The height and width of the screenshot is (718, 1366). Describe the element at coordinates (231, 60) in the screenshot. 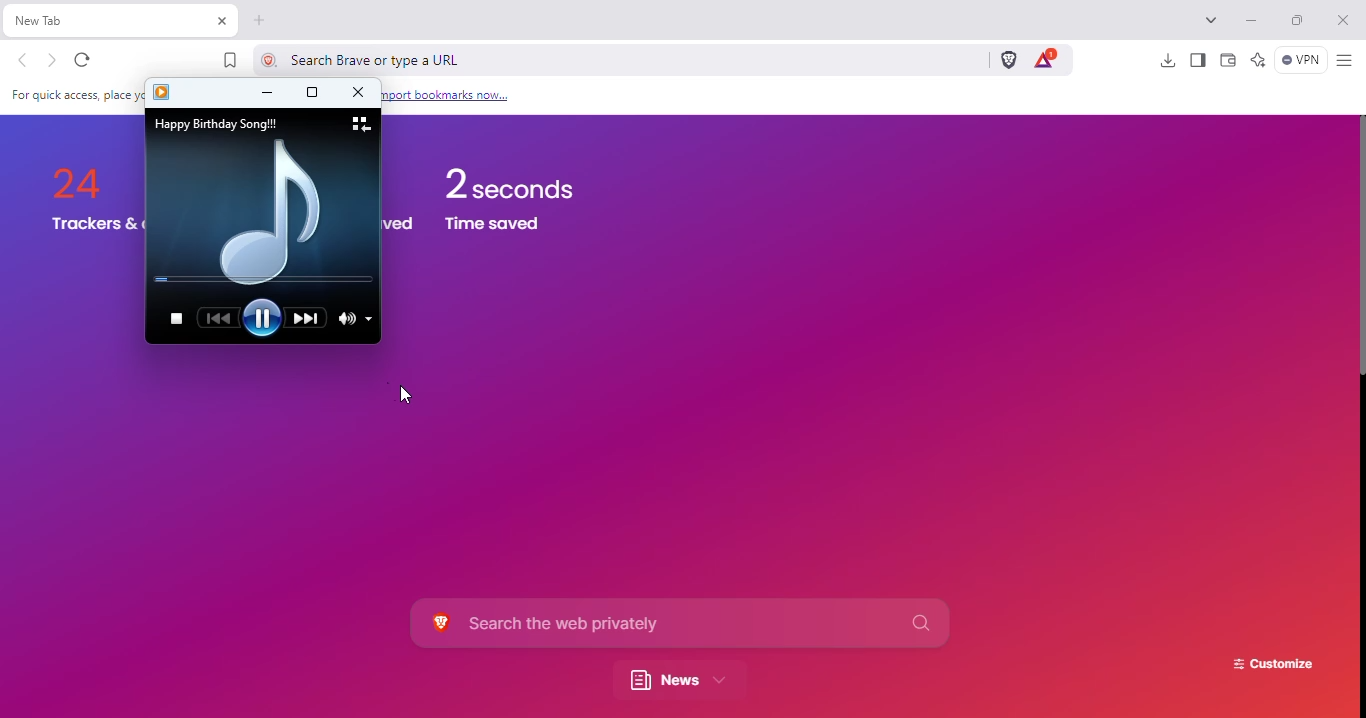

I see `bookmark this tab` at that location.